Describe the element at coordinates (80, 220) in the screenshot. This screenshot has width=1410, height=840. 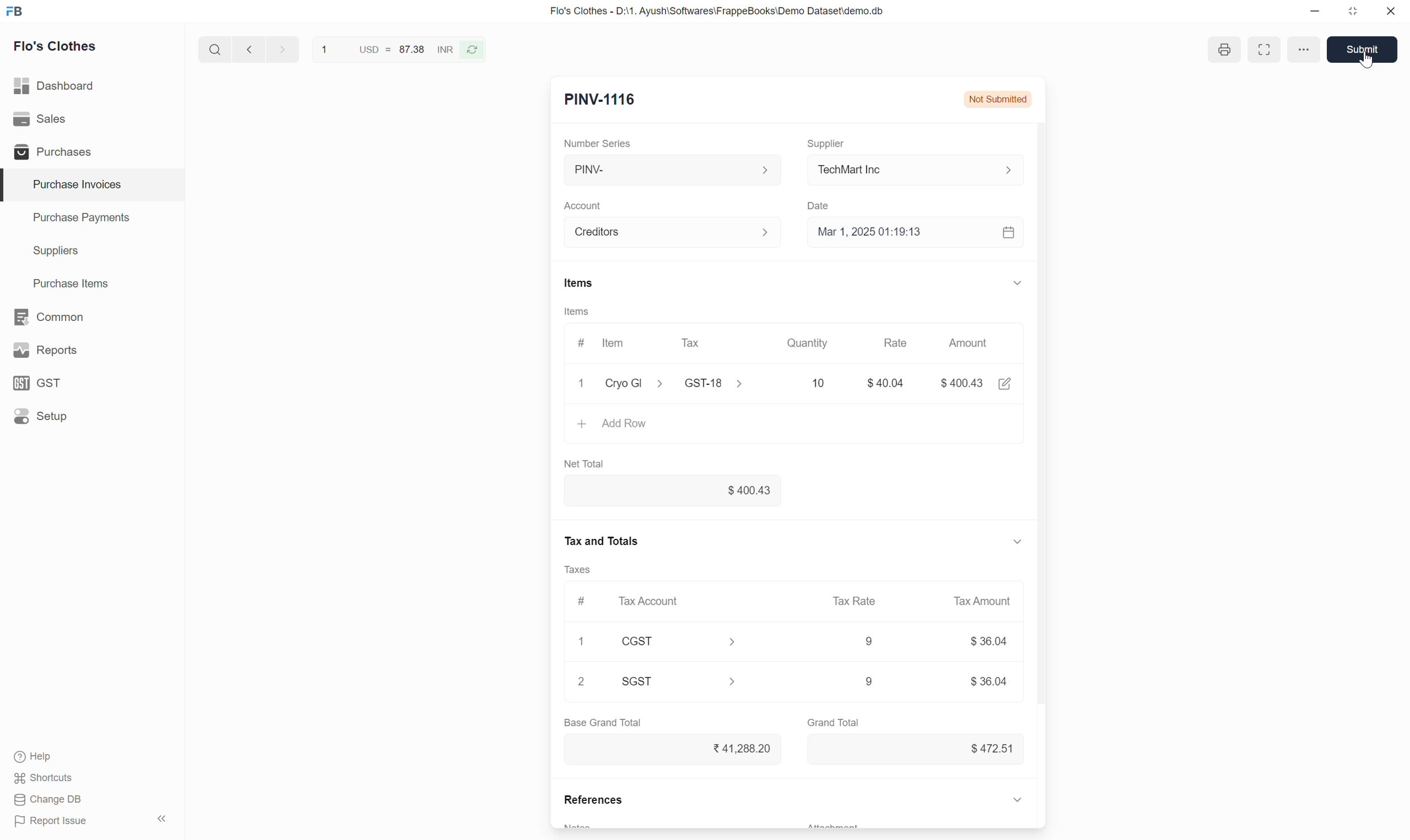
I see `Purchase Payments` at that location.